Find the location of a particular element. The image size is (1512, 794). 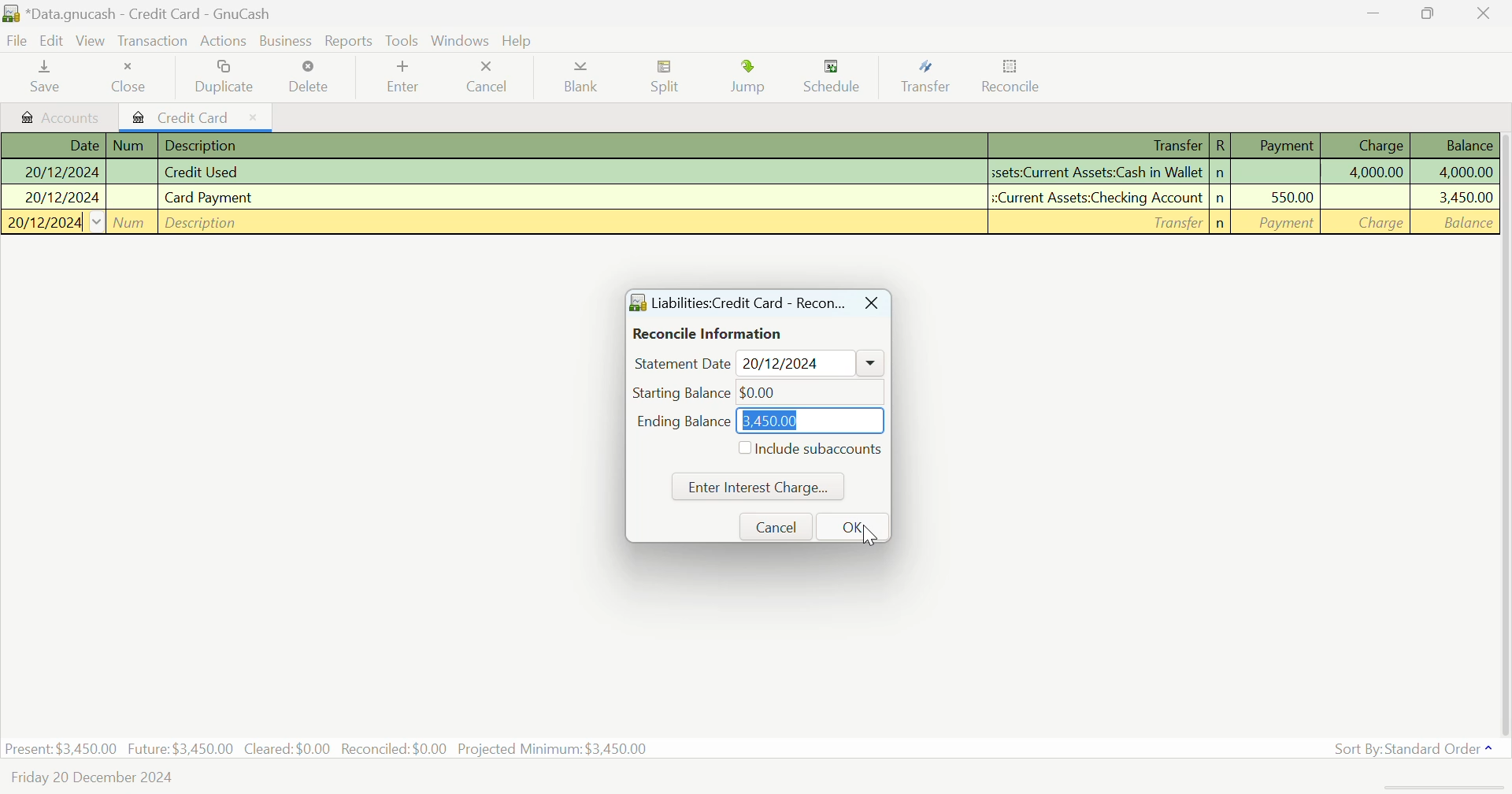

Enter Interest Charge is located at coordinates (755, 486).